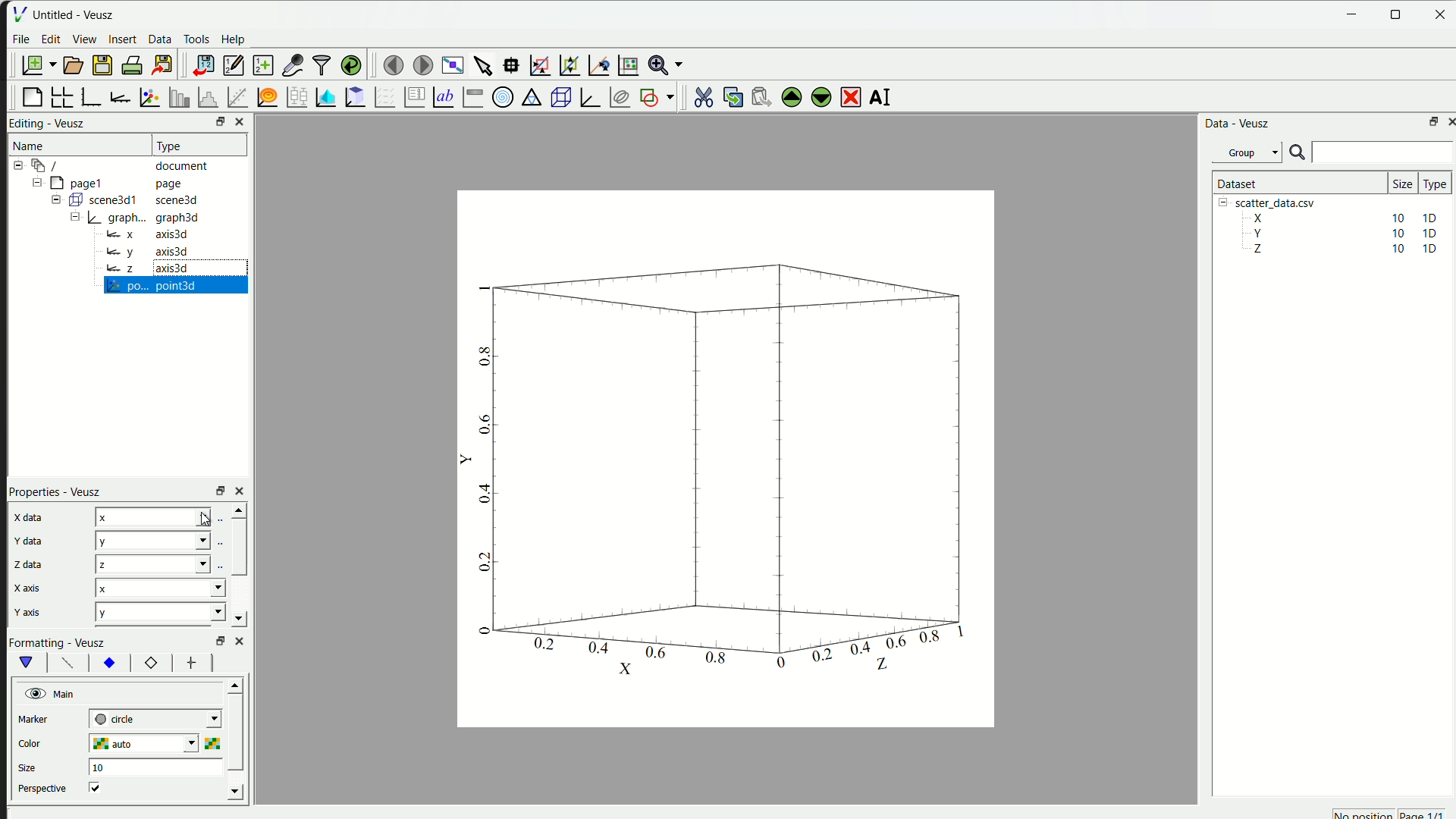 This screenshot has height=819, width=1456. Describe the element at coordinates (567, 66) in the screenshot. I see `zoom out graph axes` at that location.